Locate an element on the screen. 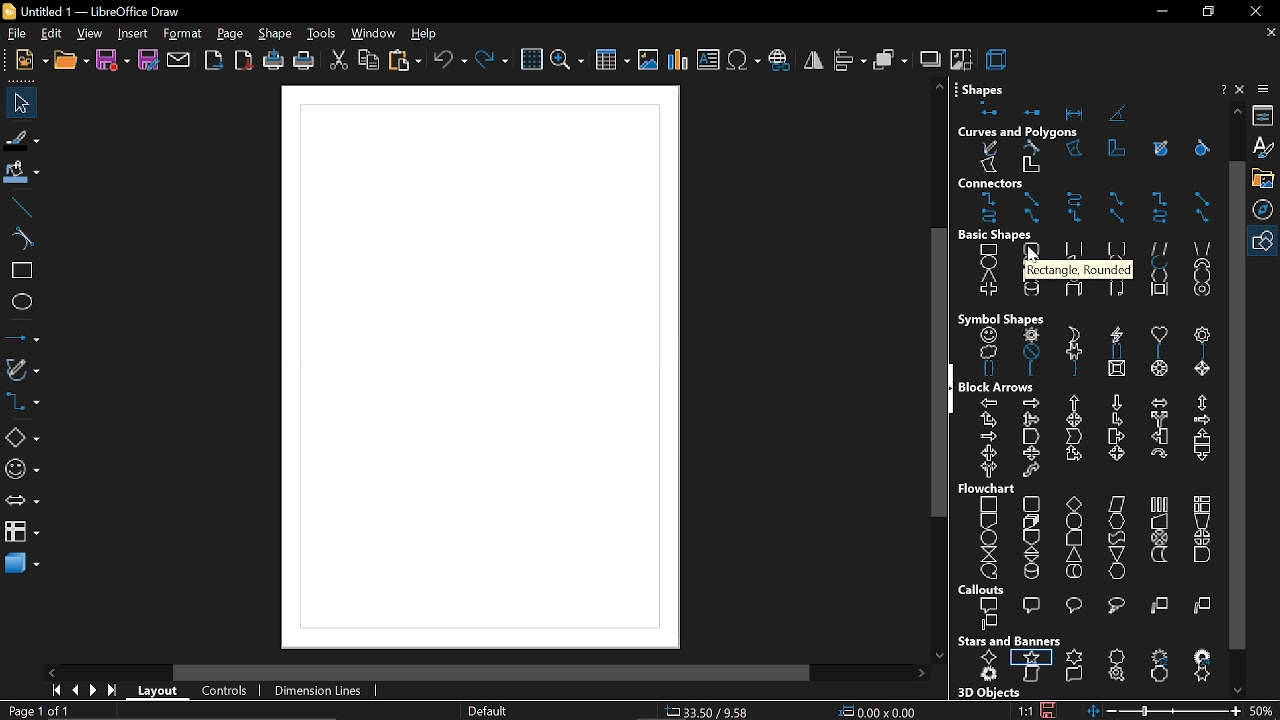 The height and width of the screenshot is (720, 1280). callout is located at coordinates (1088, 615).